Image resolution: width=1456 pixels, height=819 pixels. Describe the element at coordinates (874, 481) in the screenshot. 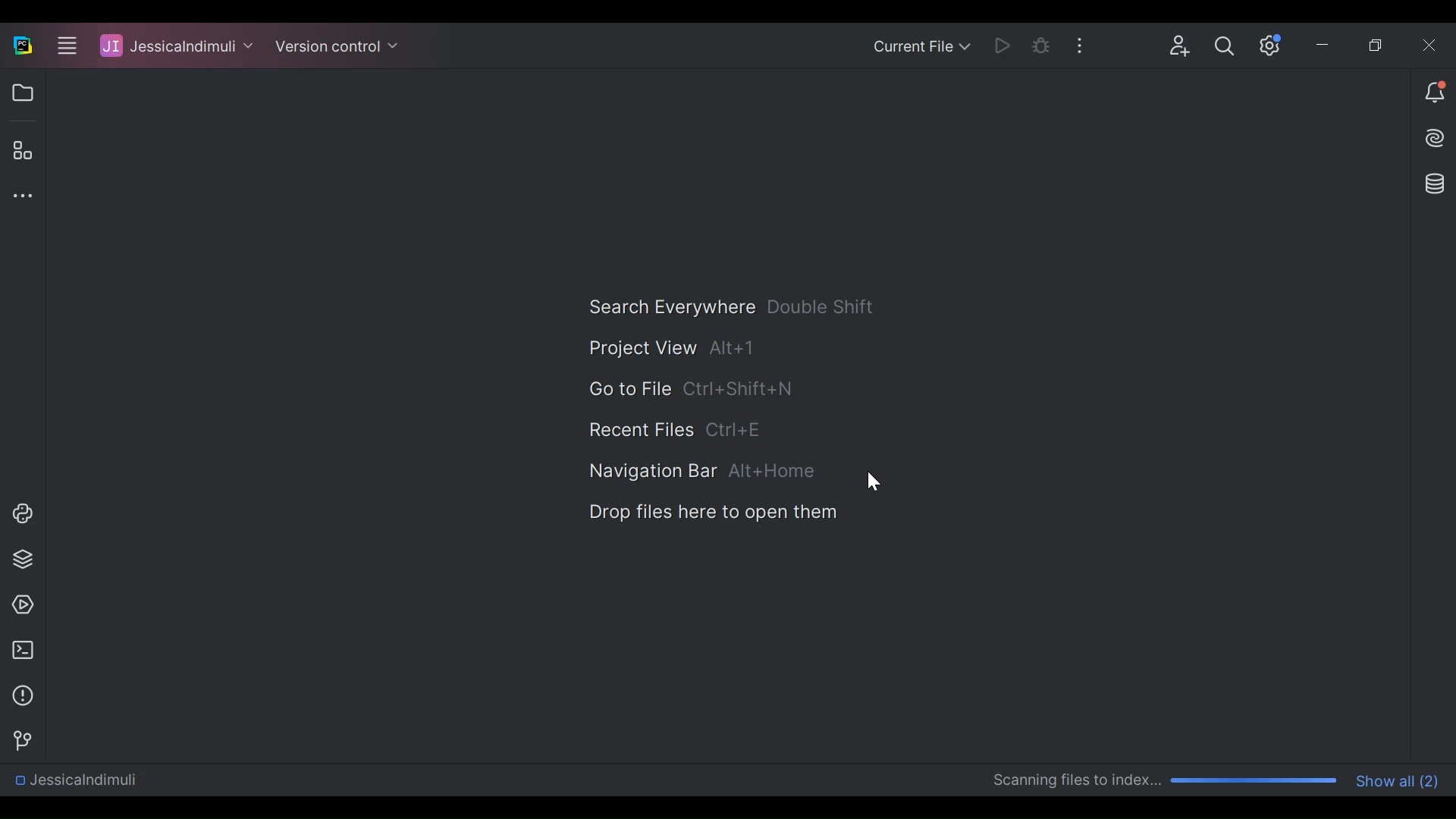

I see `Cursor` at that location.